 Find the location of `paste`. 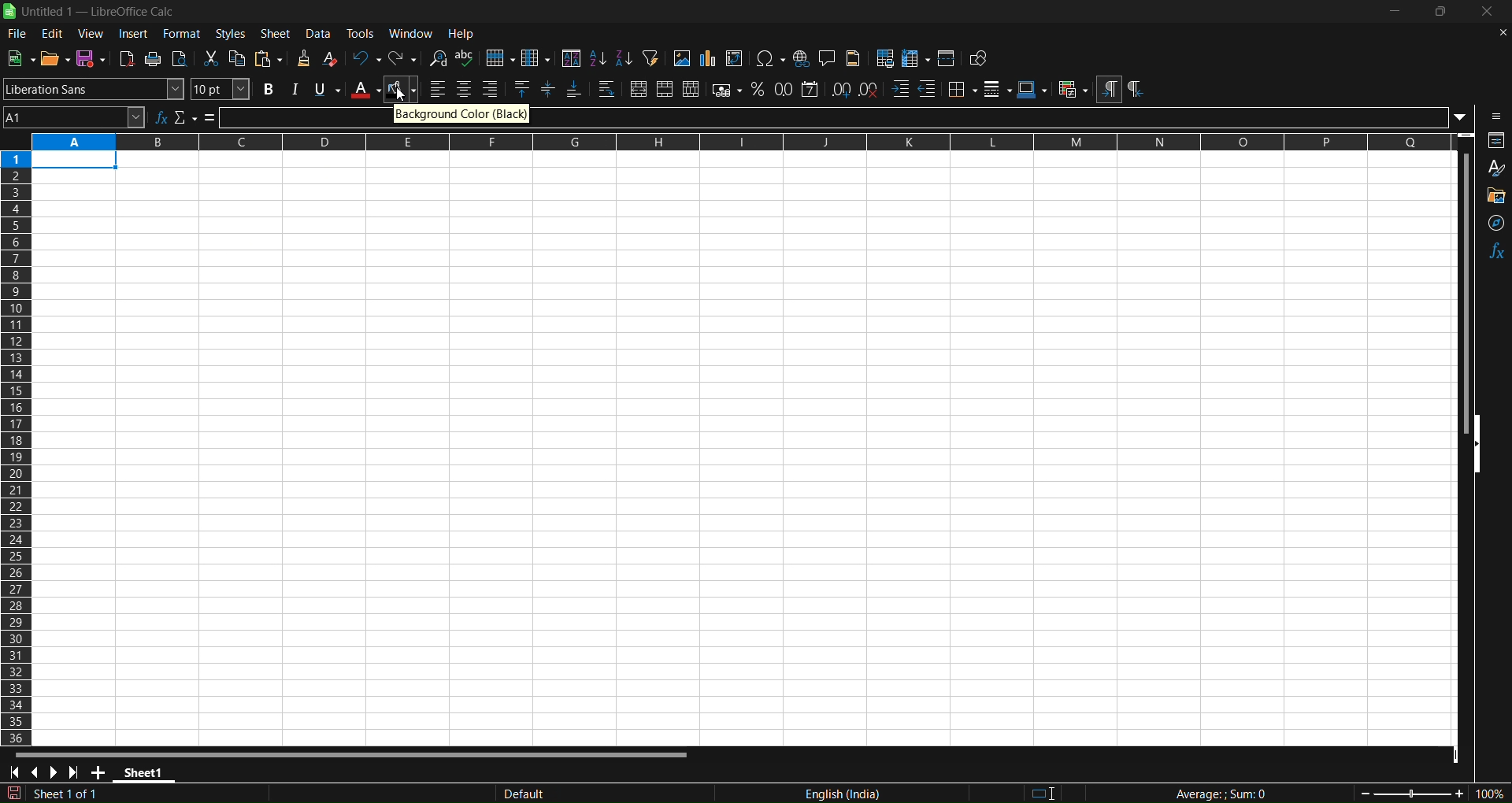

paste is located at coordinates (269, 57).